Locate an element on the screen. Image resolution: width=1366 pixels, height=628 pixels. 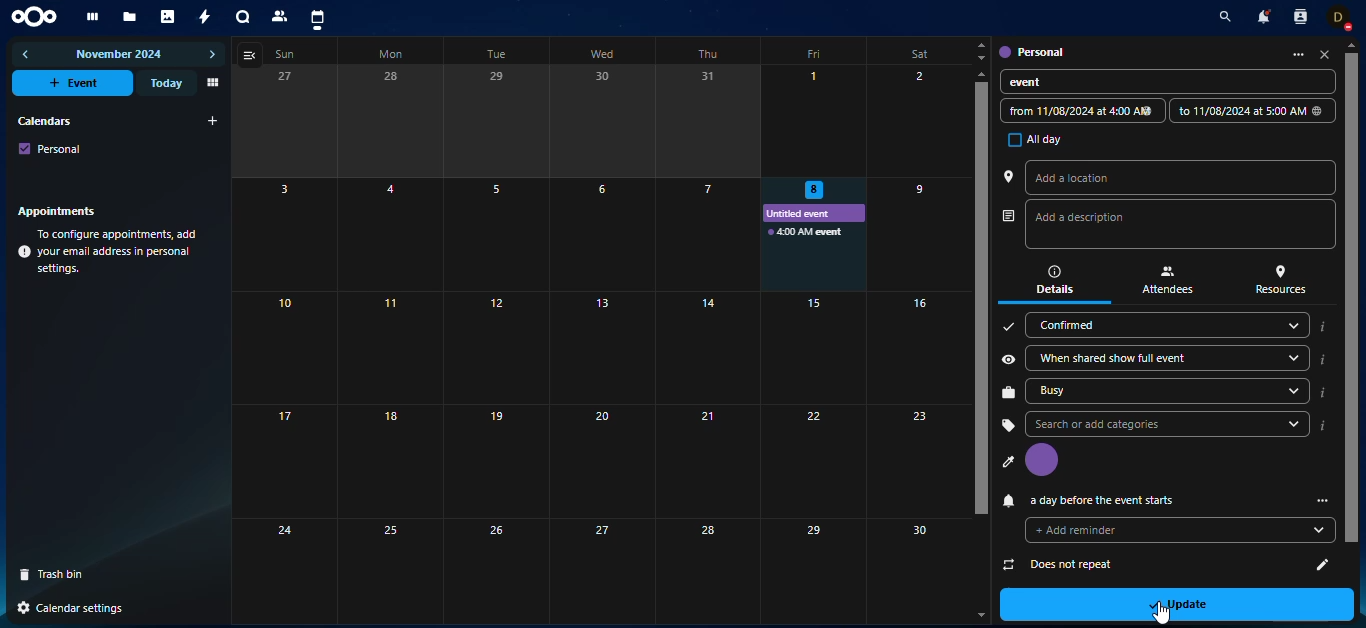
date is located at coordinates (1248, 110).